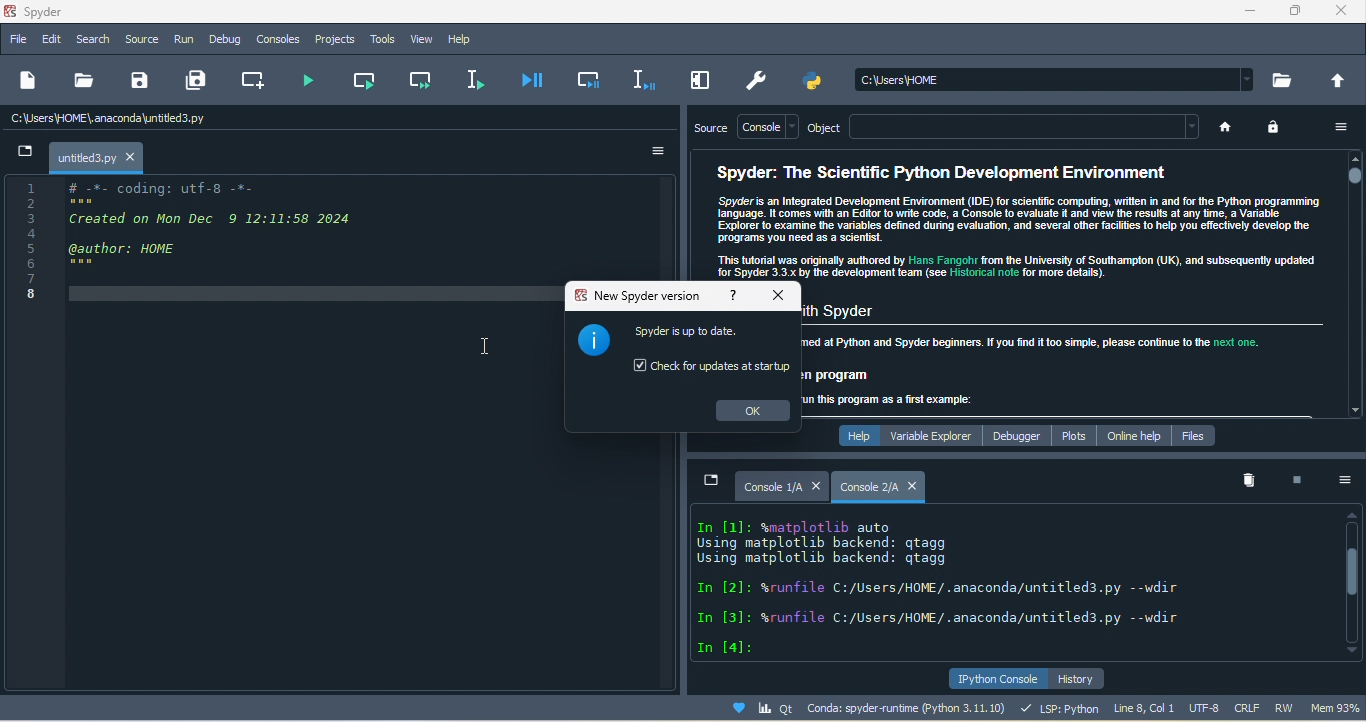  What do you see at coordinates (18, 41) in the screenshot?
I see `file` at bounding box center [18, 41].